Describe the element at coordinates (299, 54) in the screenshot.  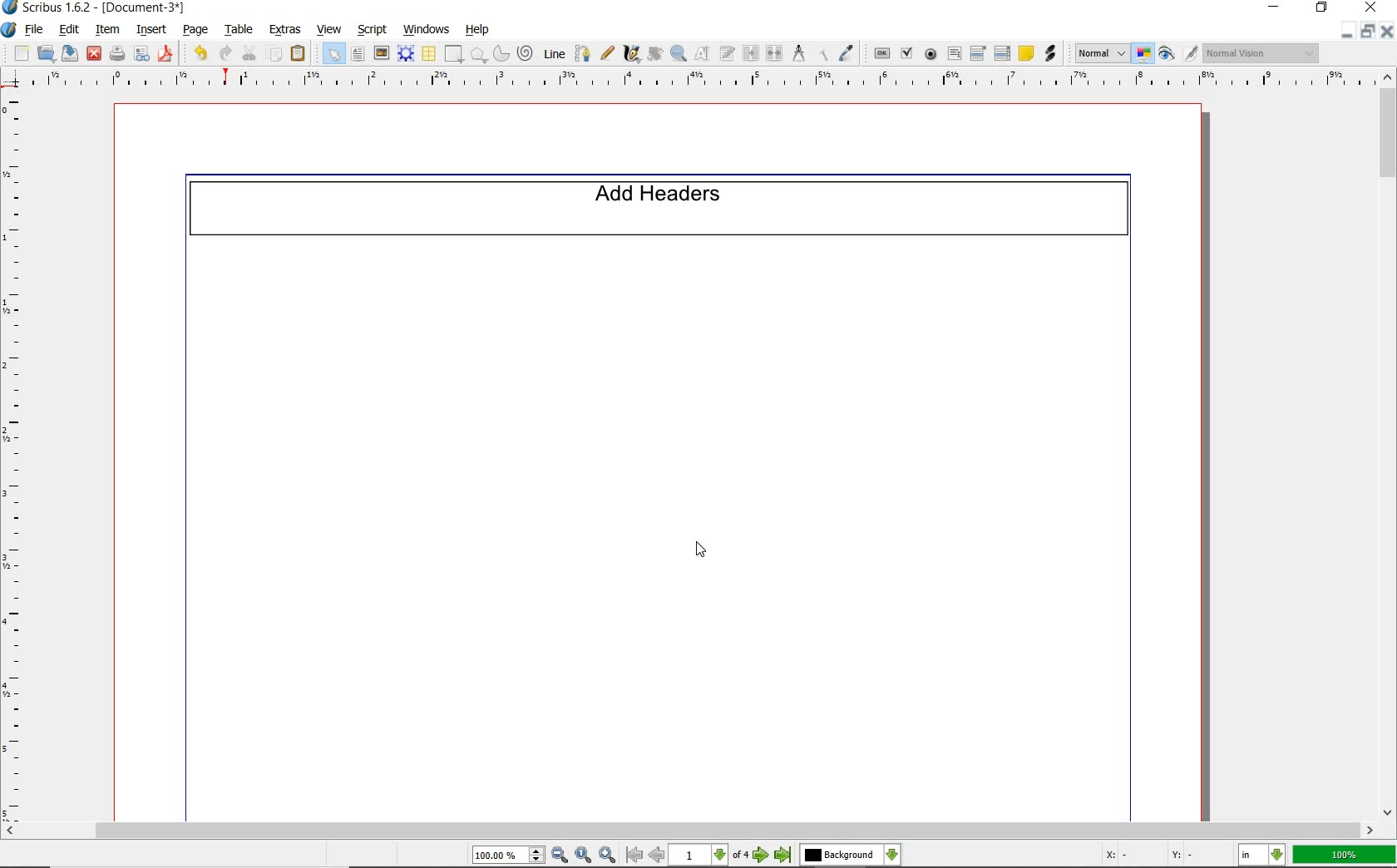
I see `paste` at that location.